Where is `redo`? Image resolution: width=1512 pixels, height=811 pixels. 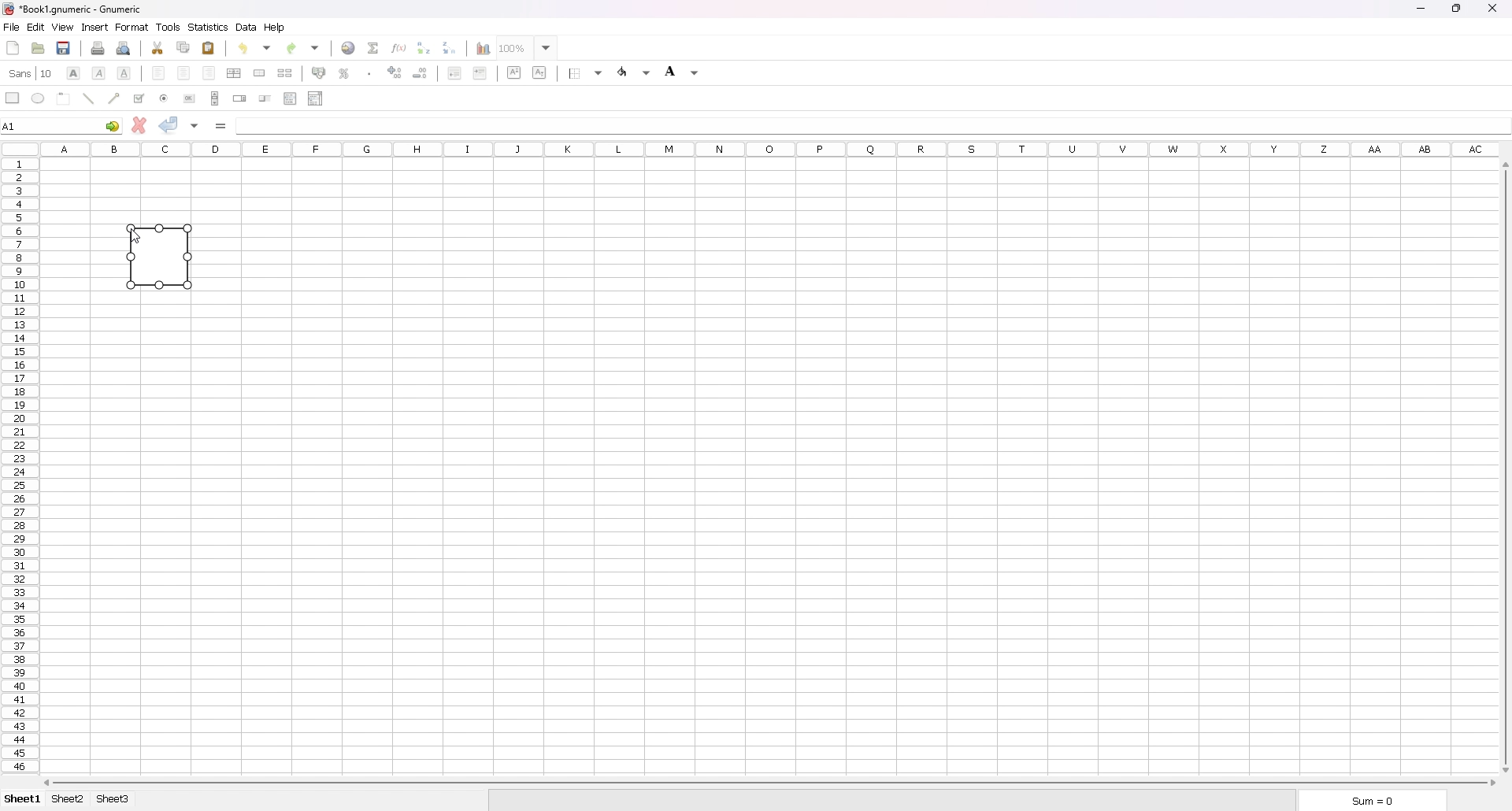 redo is located at coordinates (305, 47).